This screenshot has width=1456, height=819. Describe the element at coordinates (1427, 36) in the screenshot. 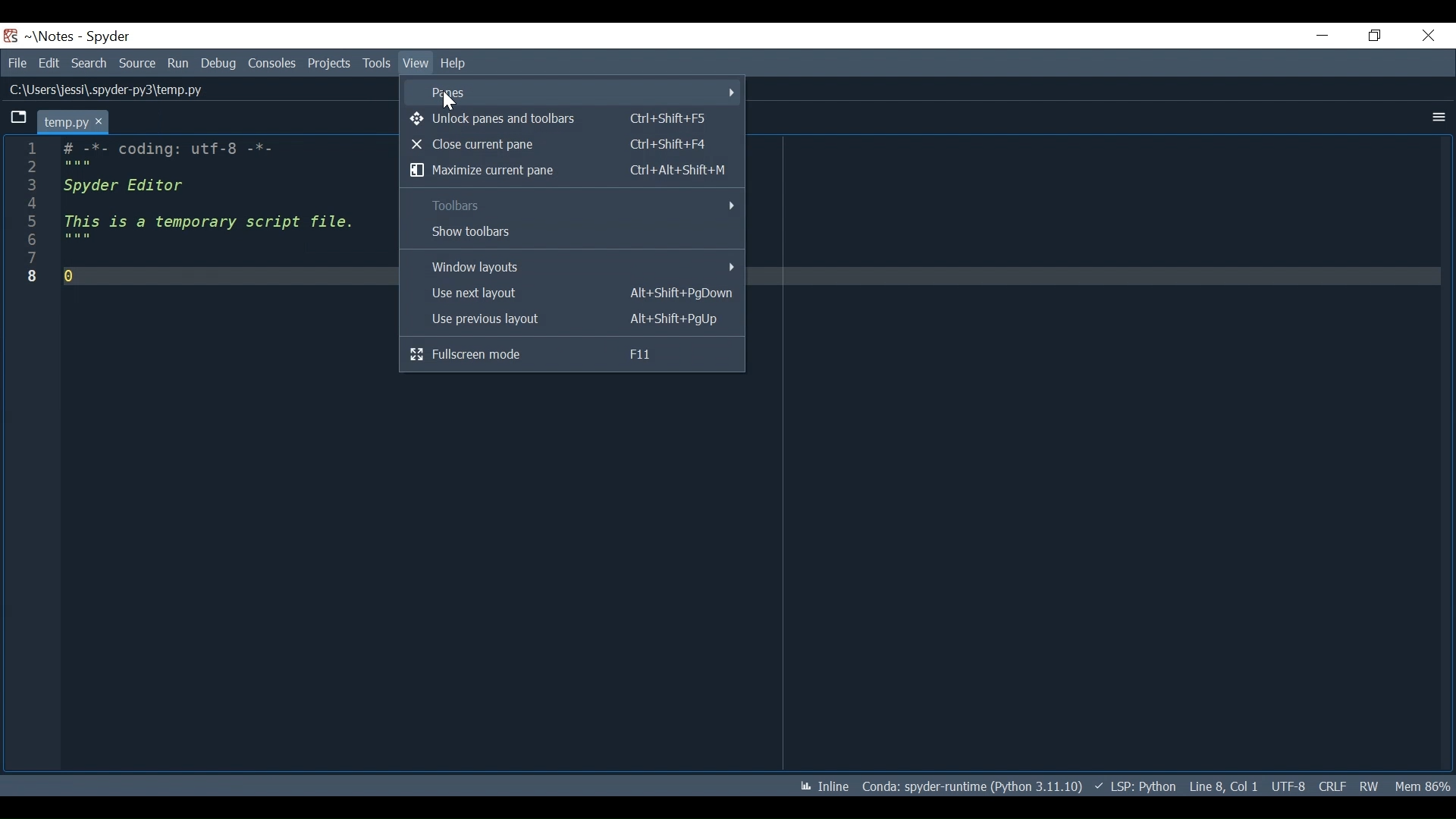

I see `Close` at that location.